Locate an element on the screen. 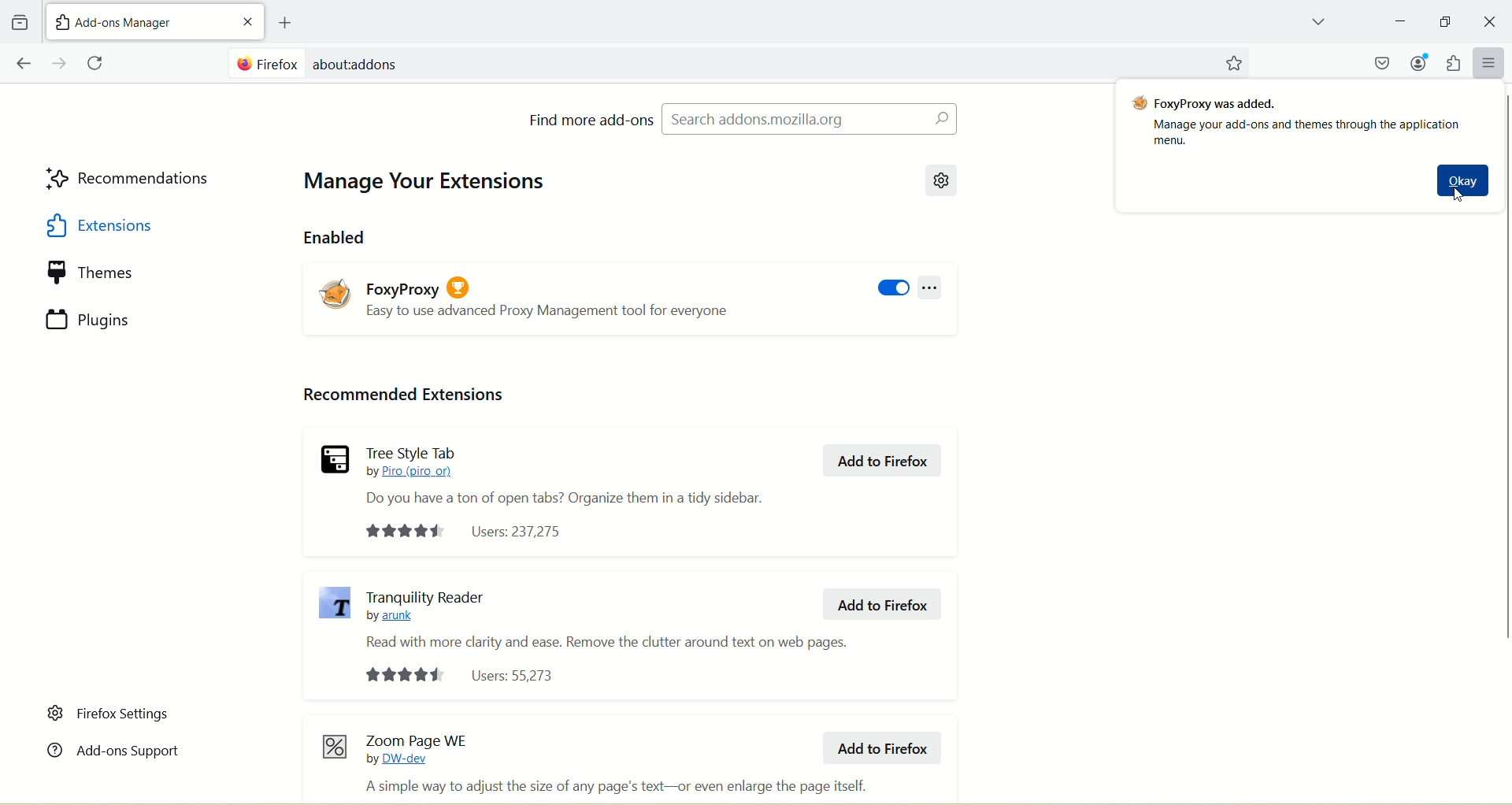  Move Forwards is located at coordinates (61, 63).